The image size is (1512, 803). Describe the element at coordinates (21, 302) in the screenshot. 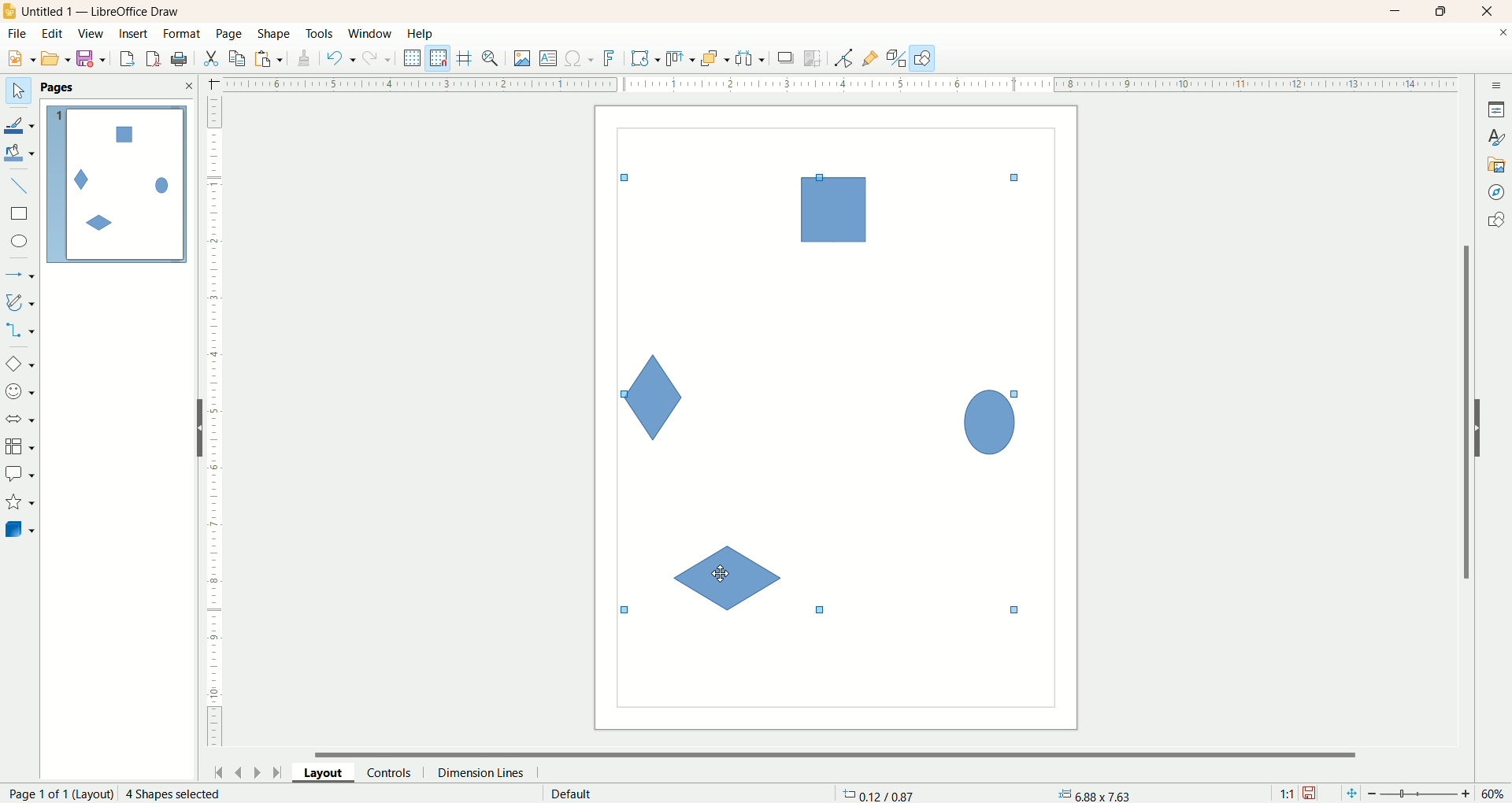

I see `curves and polygon` at that location.